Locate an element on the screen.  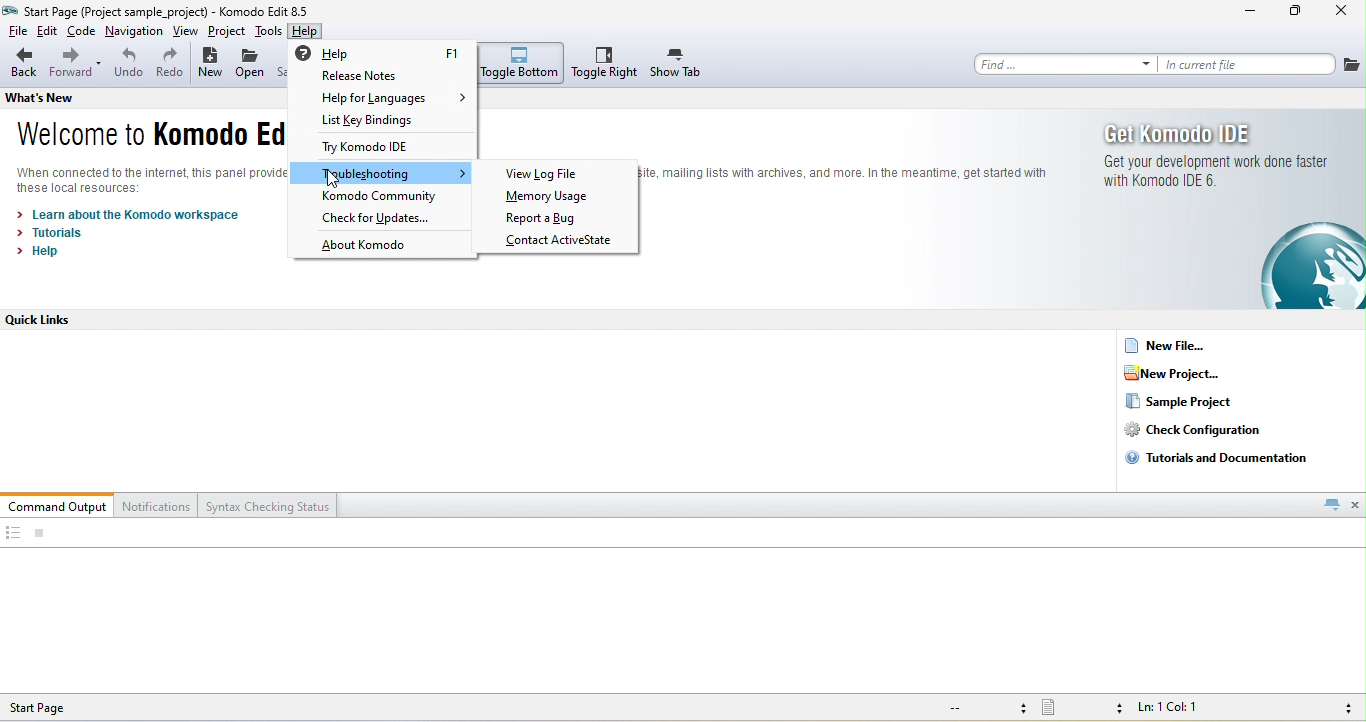
try komodo ide is located at coordinates (376, 149).